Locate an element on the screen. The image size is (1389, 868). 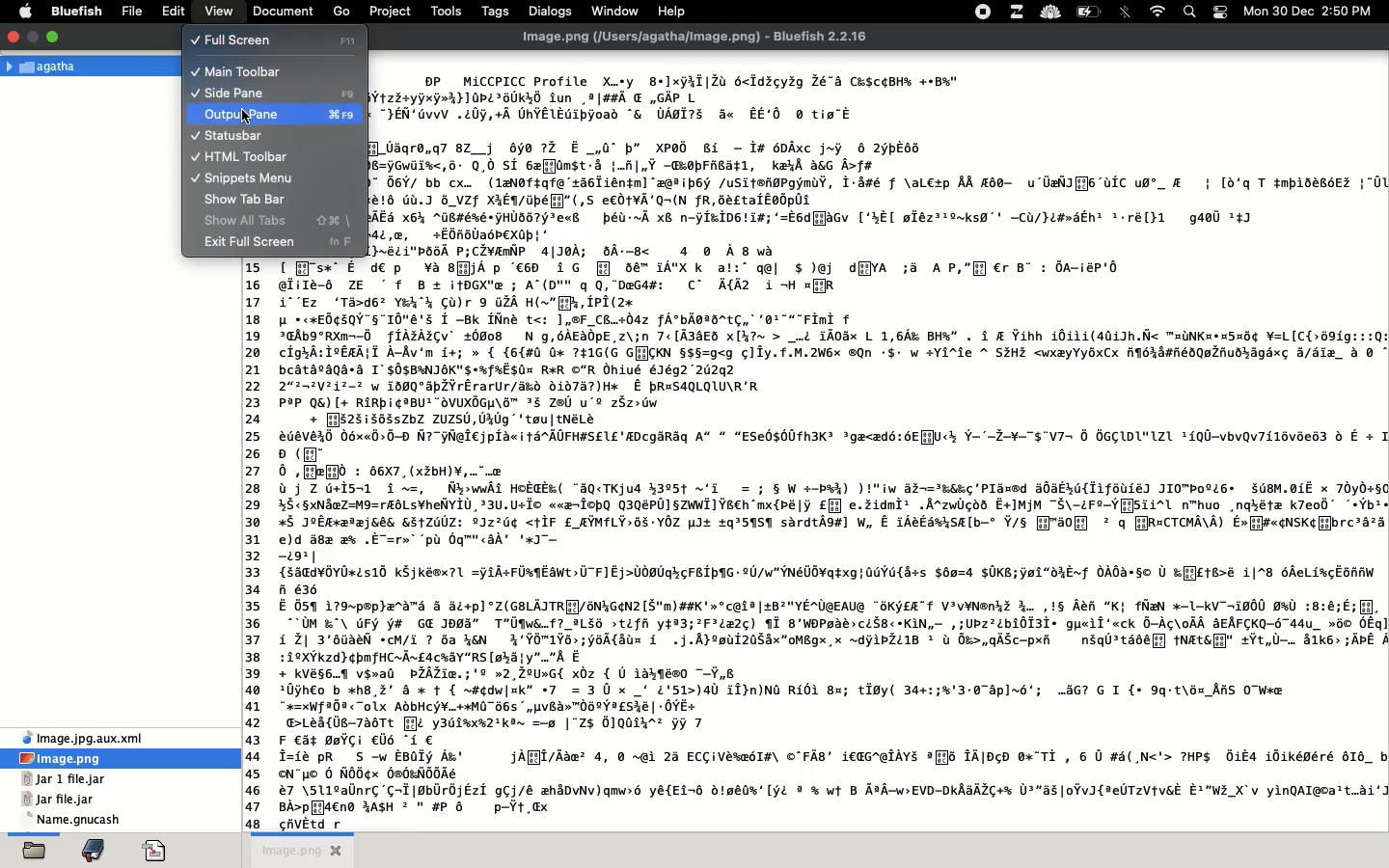
file is located at coordinates (132, 10).